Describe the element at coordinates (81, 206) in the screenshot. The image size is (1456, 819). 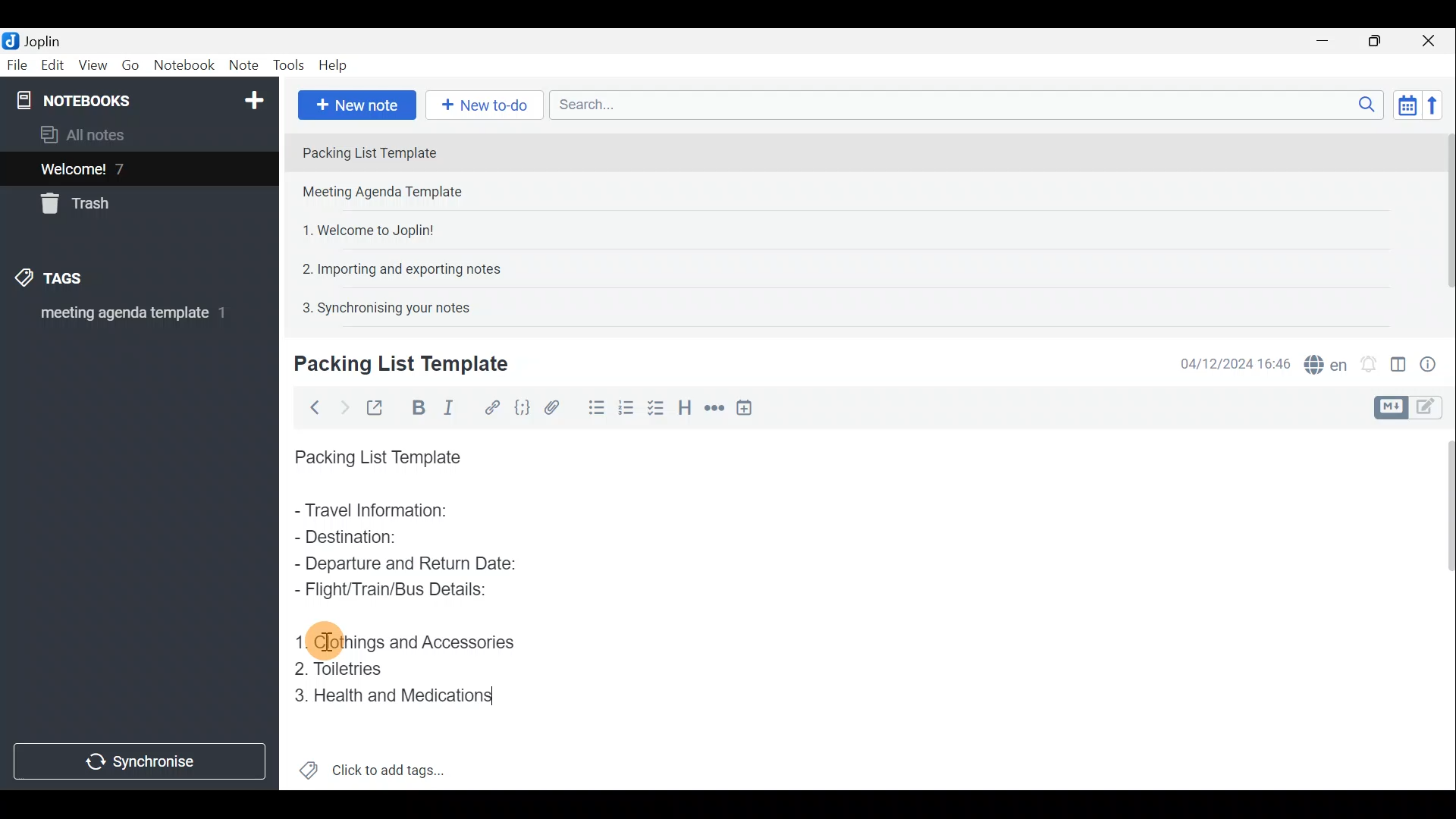
I see `Trash` at that location.